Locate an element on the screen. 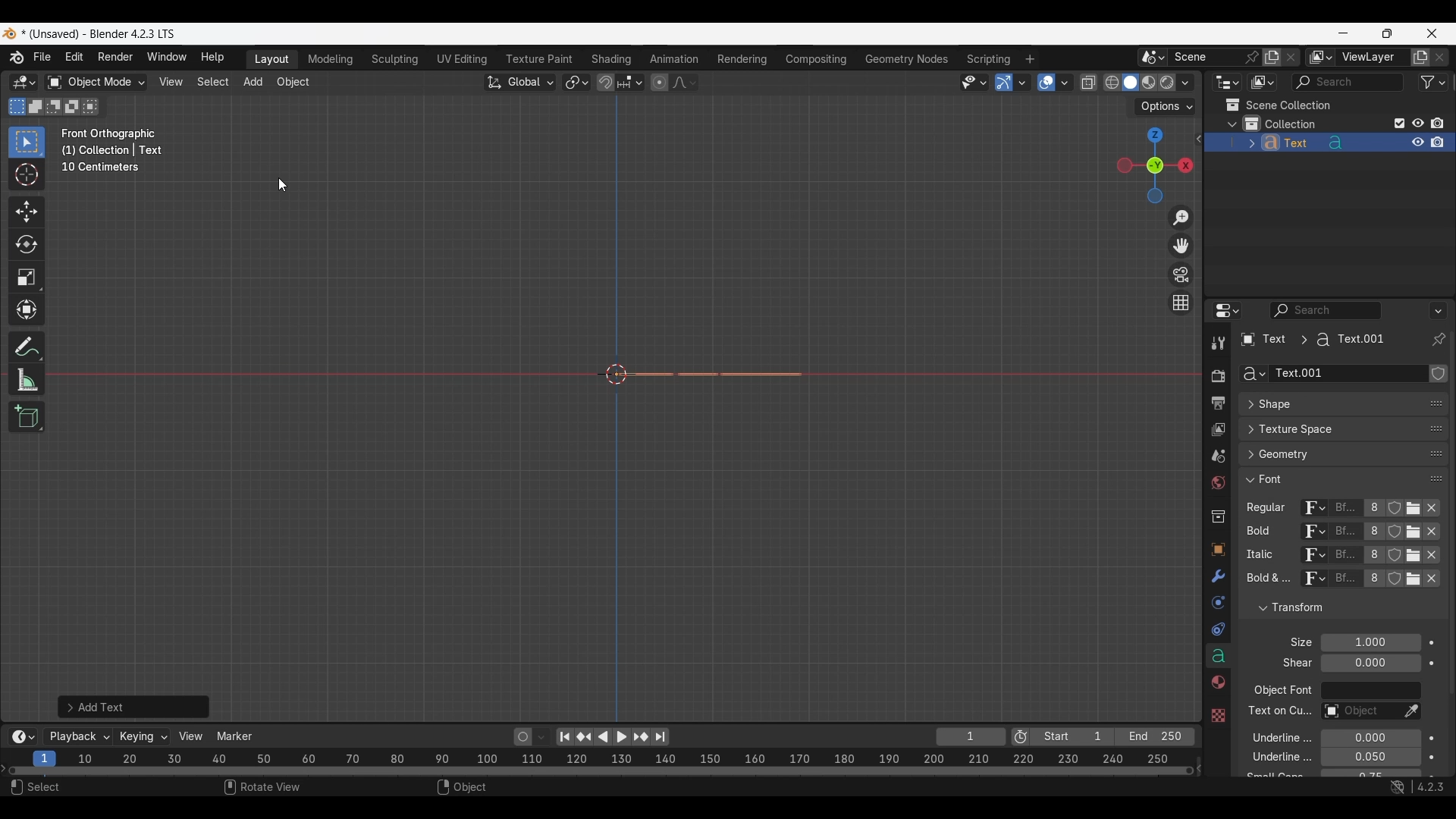  Select is located at coordinates (35, 787).